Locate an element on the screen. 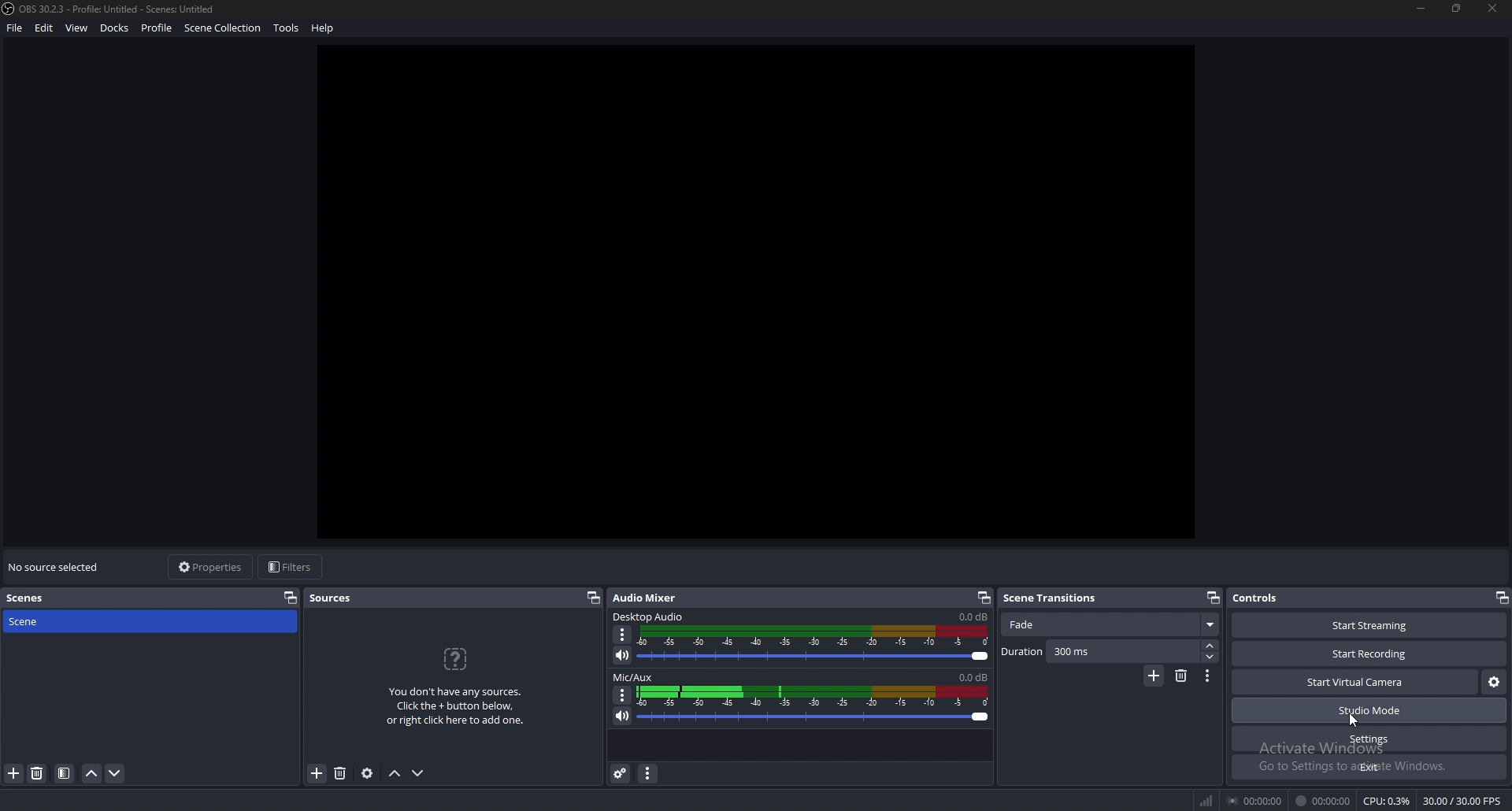 This screenshot has width=1512, height=811. move scene up is located at coordinates (92, 773).